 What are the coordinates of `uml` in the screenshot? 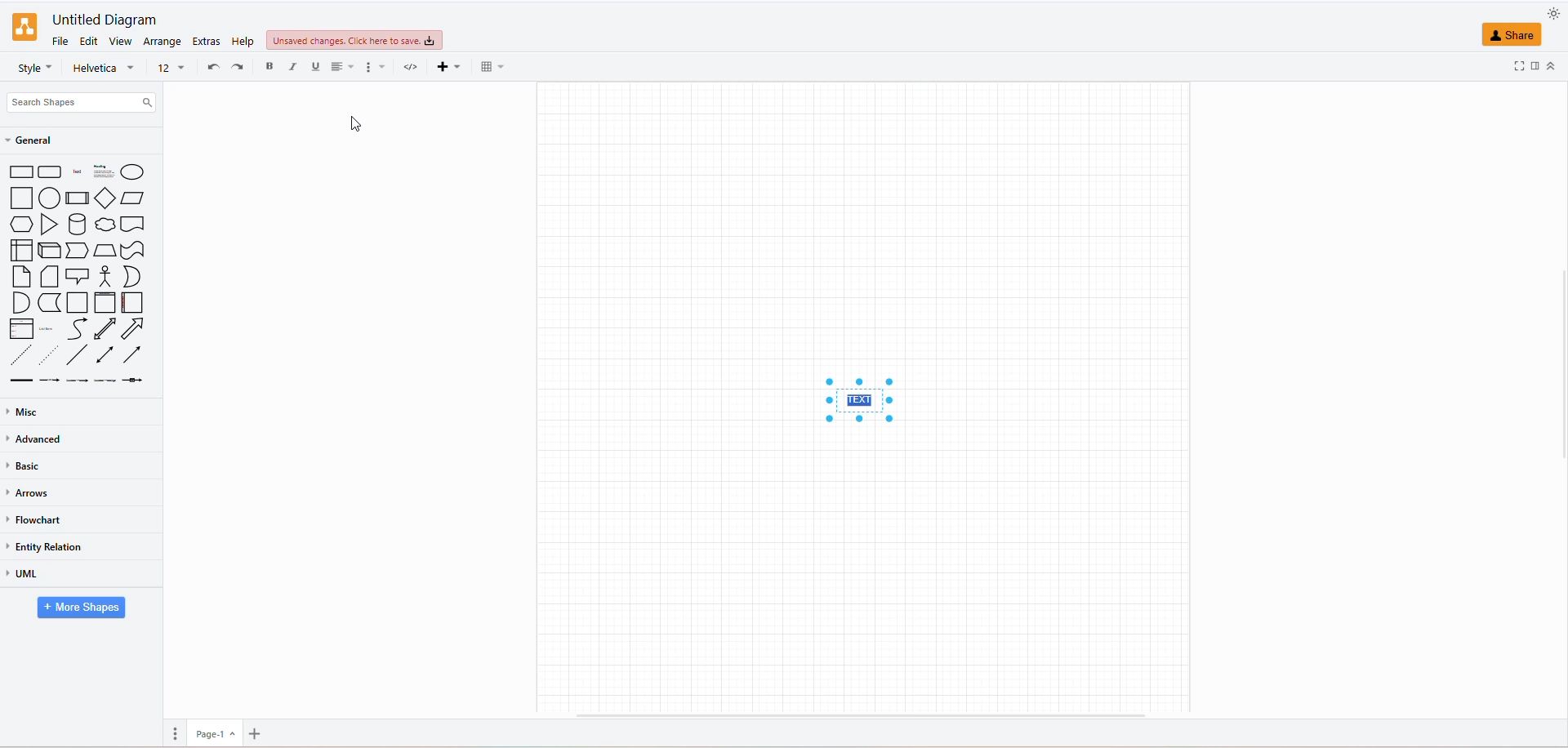 It's located at (32, 576).